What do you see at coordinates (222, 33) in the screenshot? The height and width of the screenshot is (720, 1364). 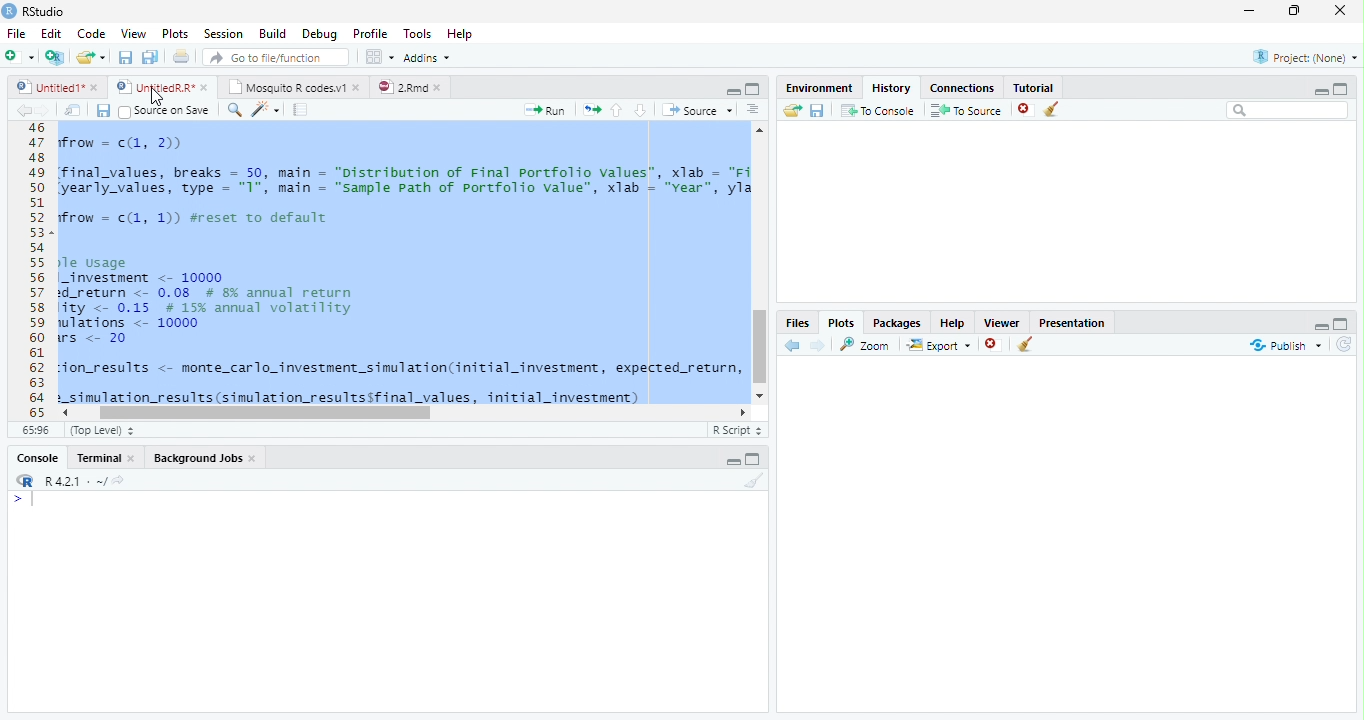 I see `Session` at bounding box center [222, 33].